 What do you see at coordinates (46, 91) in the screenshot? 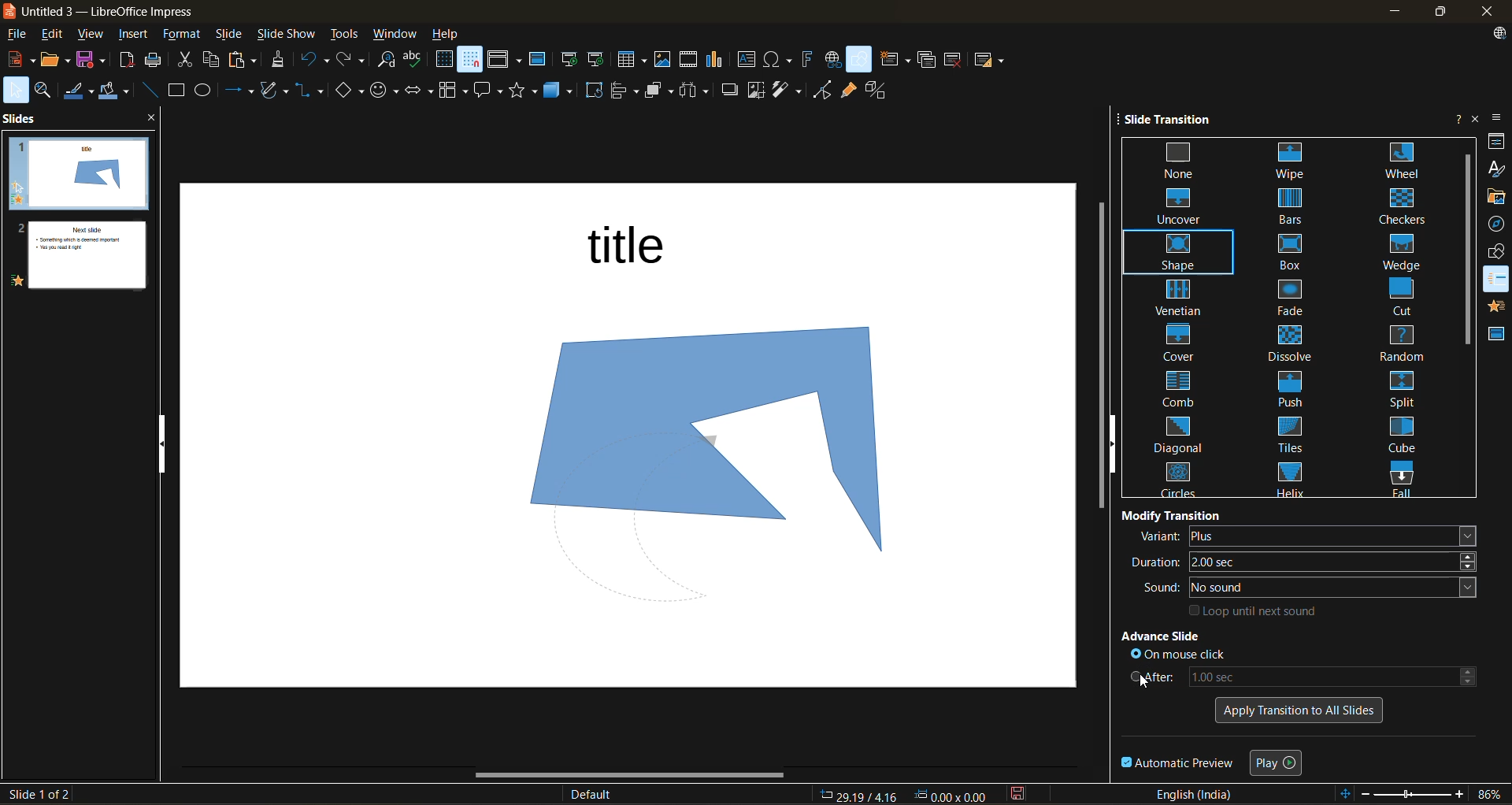
I see `zoom and pan` at bounding box center [46, 91].